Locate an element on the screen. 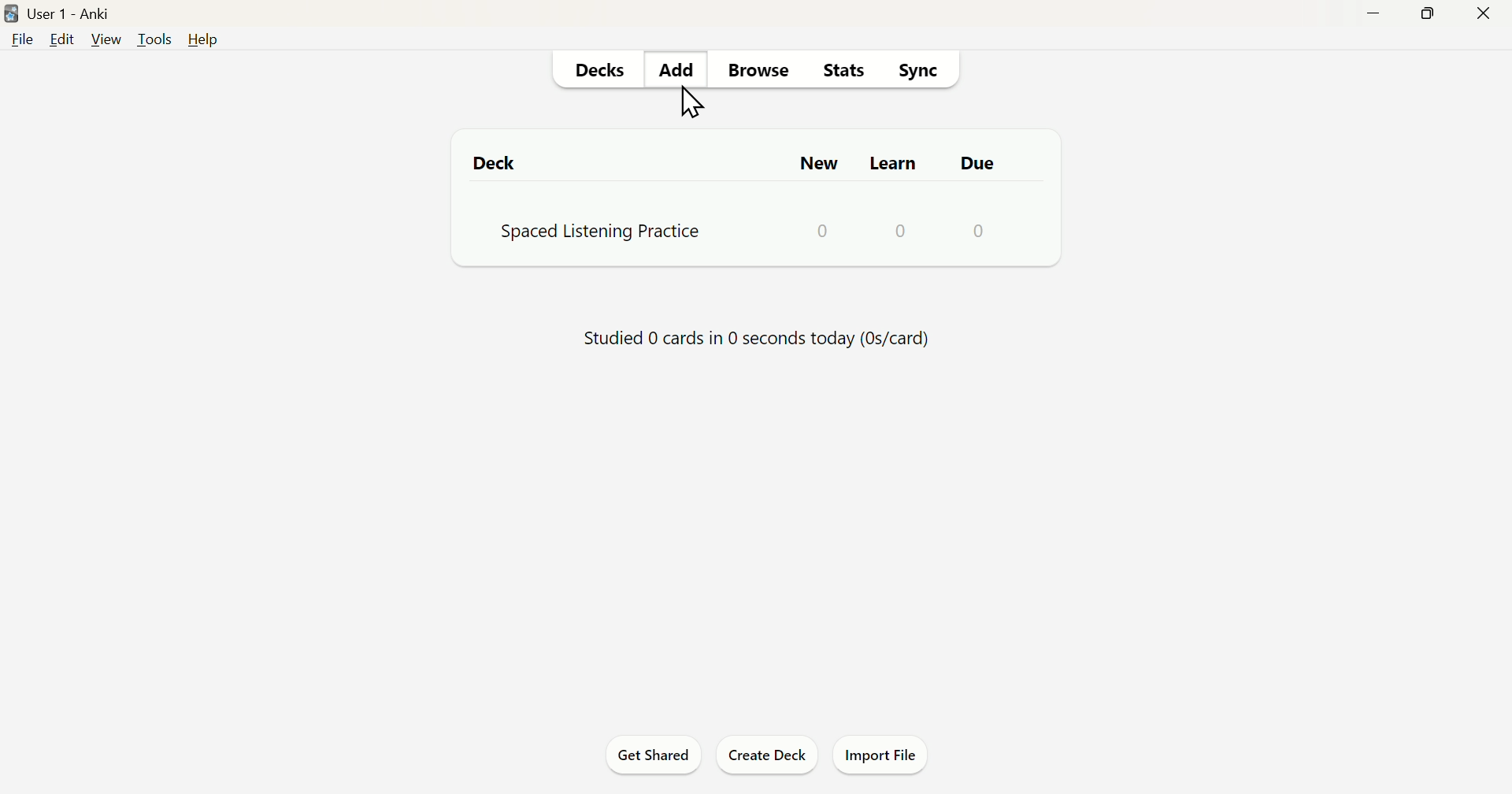 This screenshot has height=794, width=1512. View is located at coordinates (104, 40).